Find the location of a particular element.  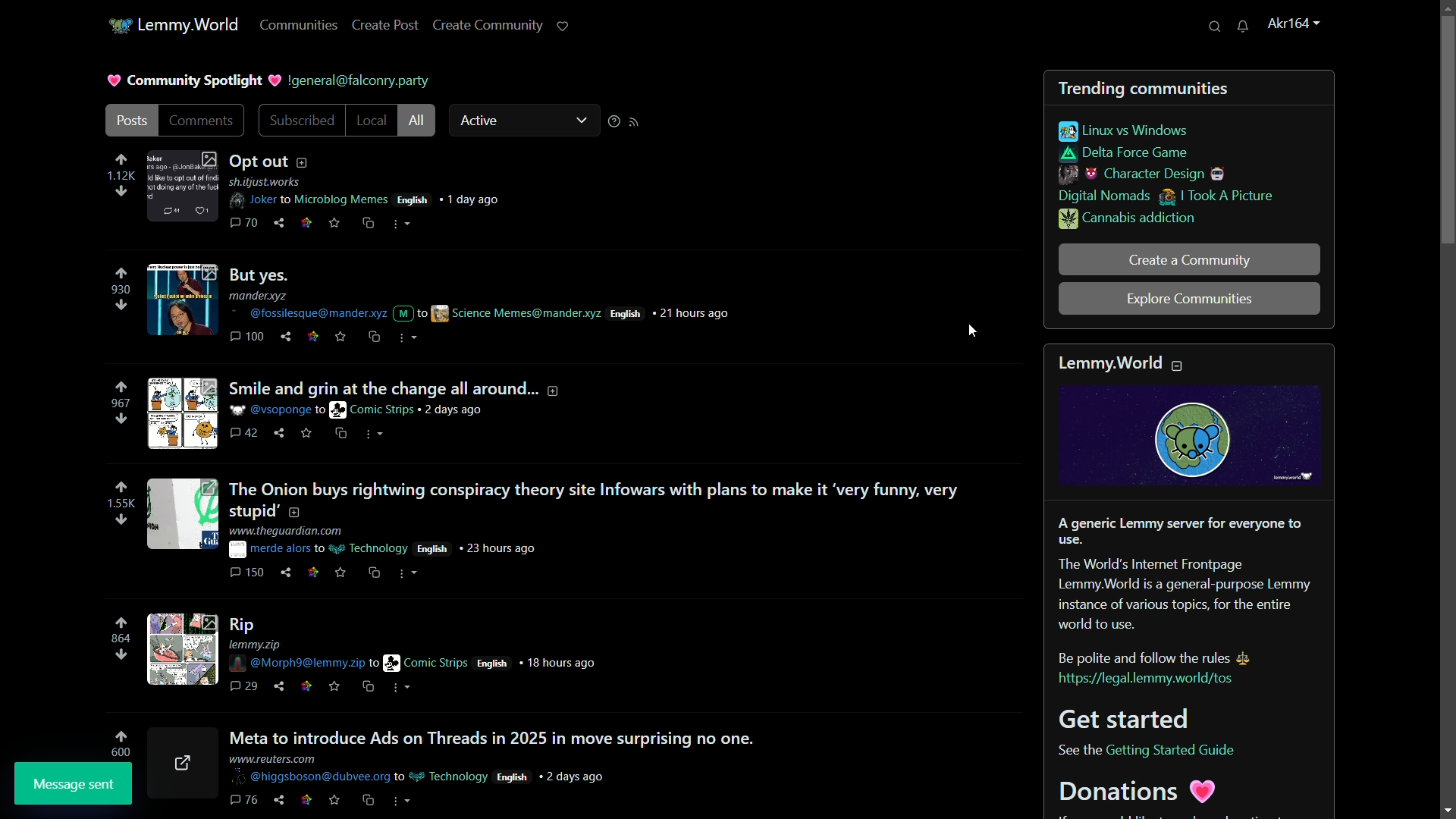

link is located at coordinates (306, 800).